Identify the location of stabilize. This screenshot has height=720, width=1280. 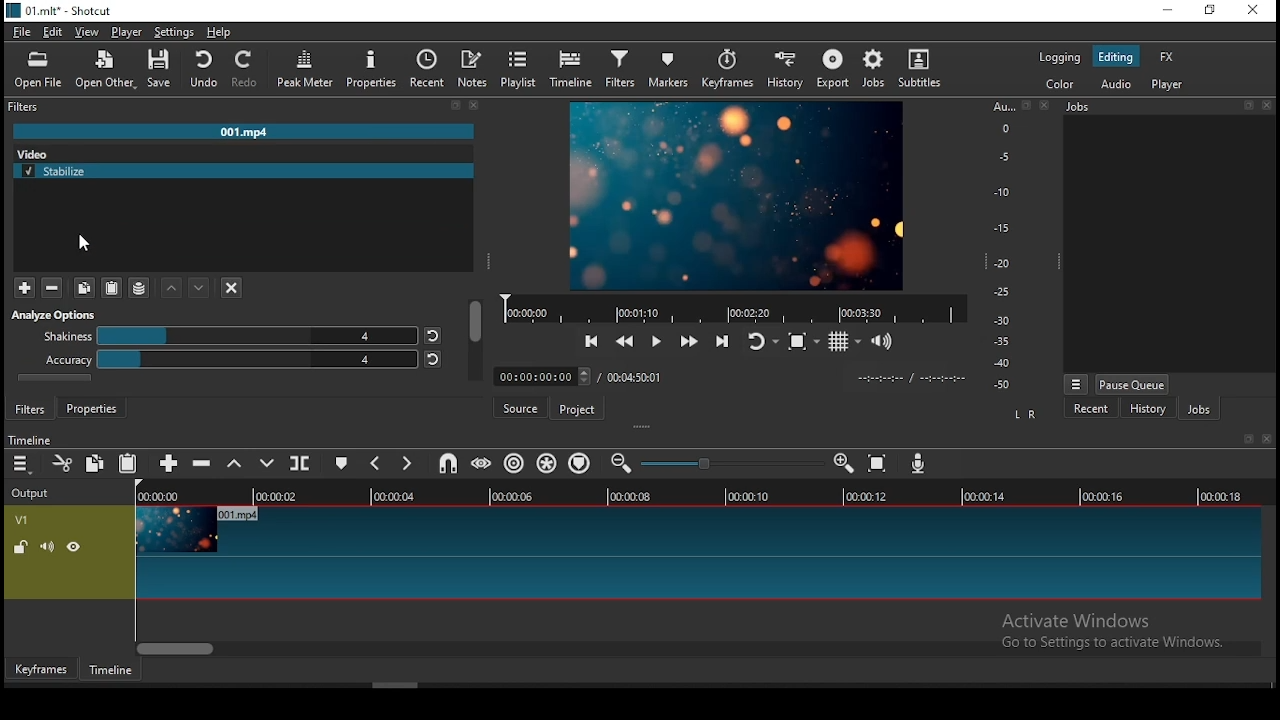
(246, 170).